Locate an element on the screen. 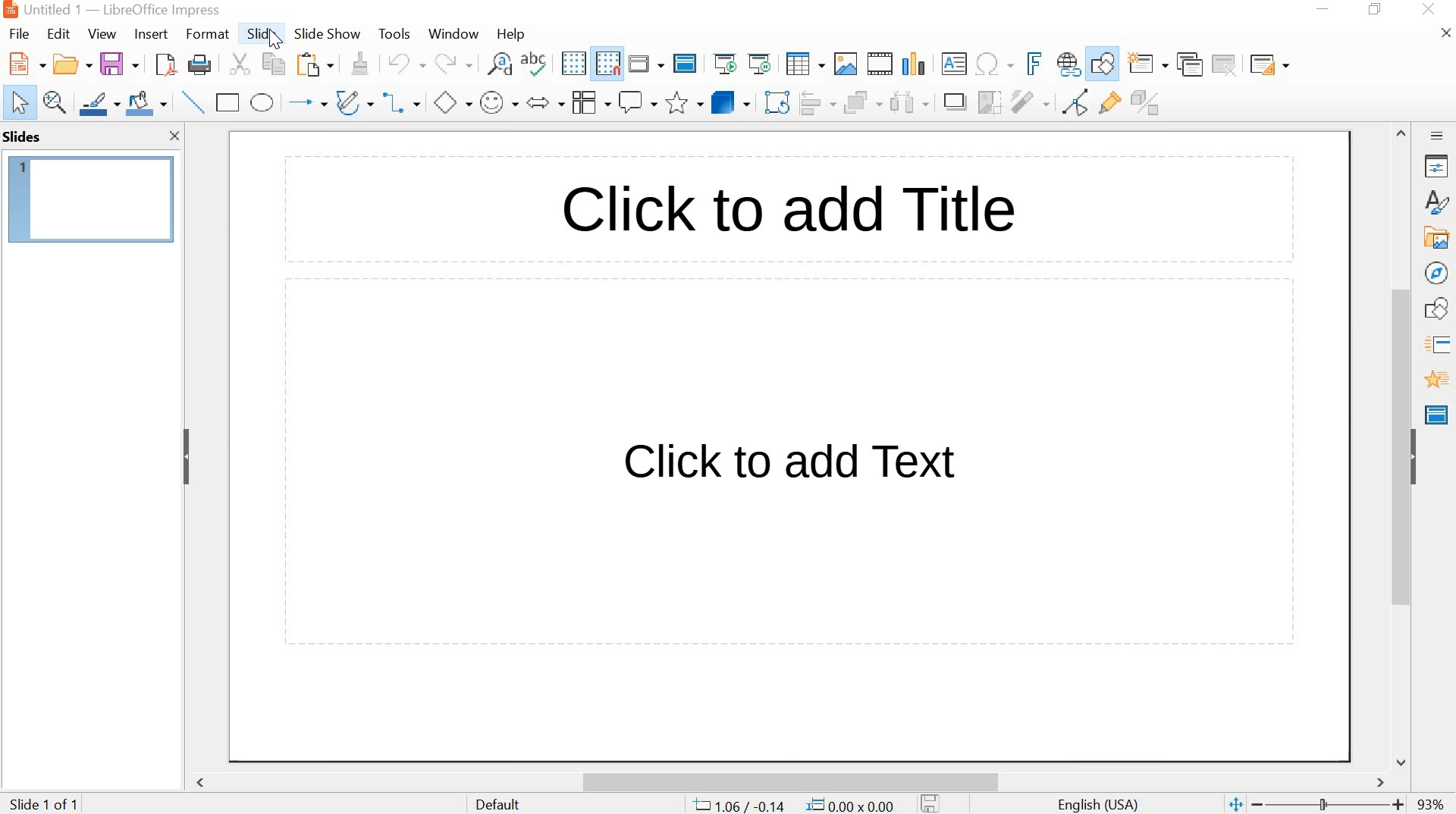 This screenshot has width=1456, height=814. MINIMIZE is located at coordinates (1325, 9).